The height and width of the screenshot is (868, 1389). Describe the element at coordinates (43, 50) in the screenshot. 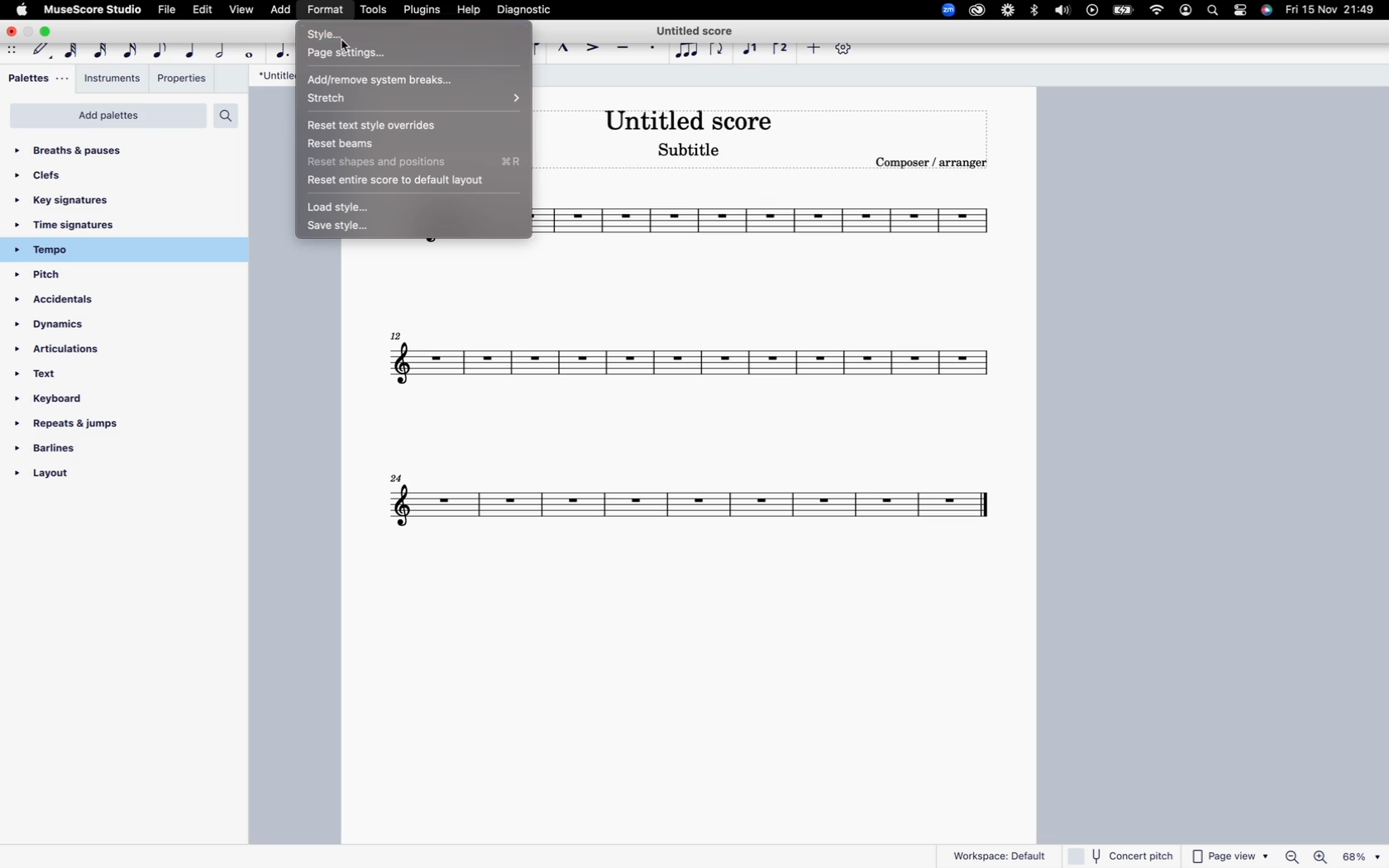

I see `default` at that location.